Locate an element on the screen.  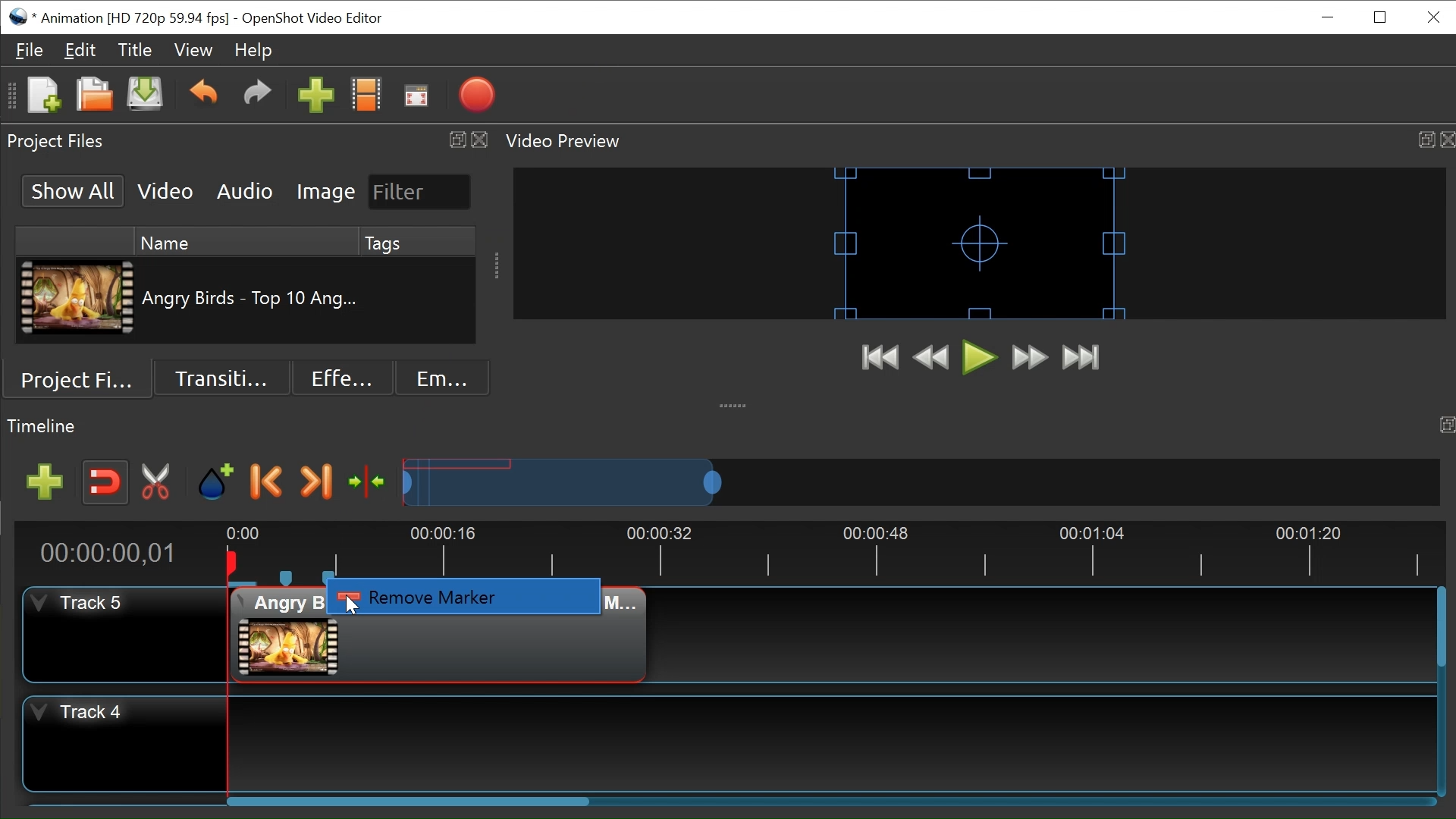
Undo is located at coordinates (206, 98).